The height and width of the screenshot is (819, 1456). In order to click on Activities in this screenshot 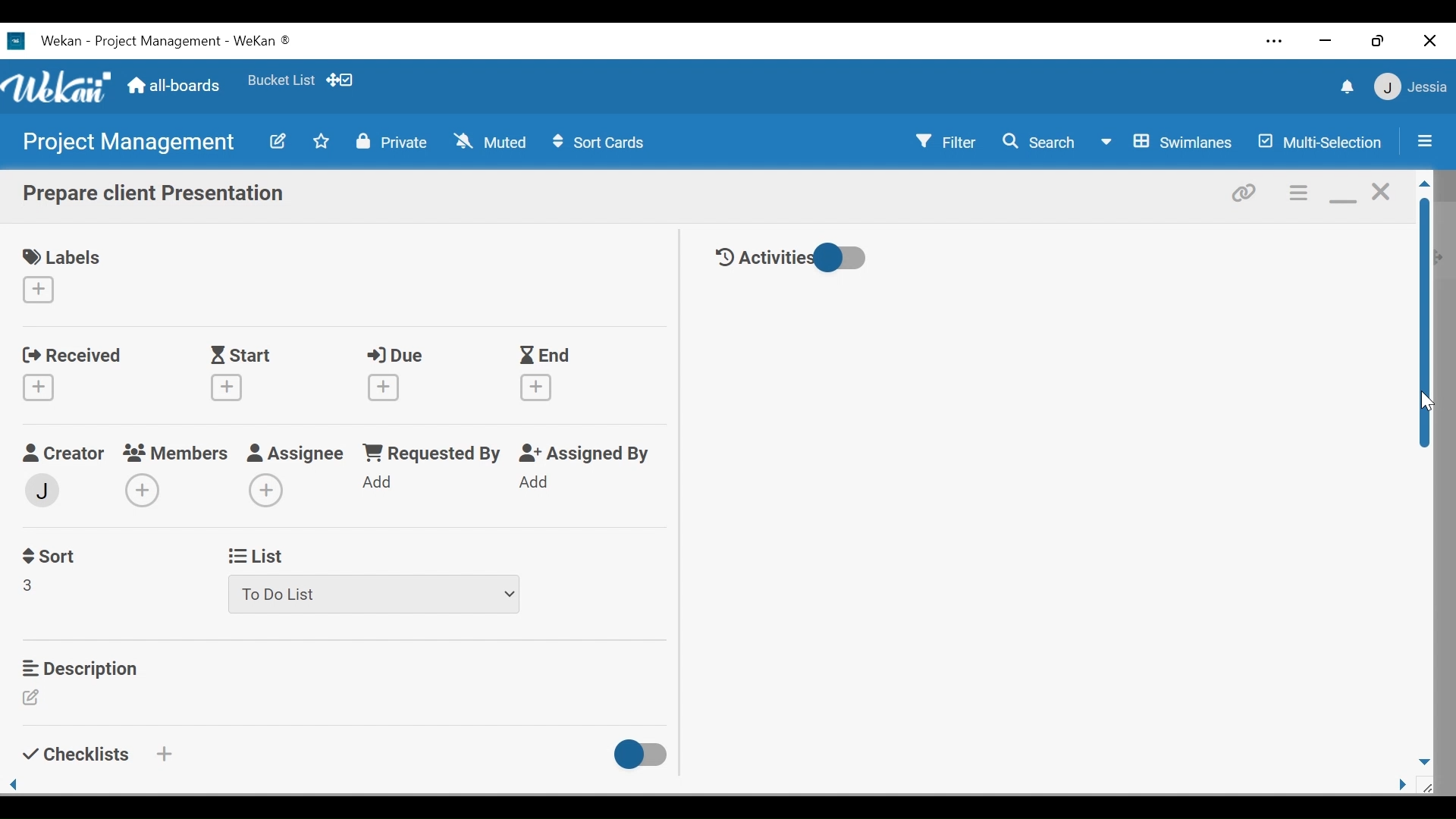, I will do `click(764, 257)`.